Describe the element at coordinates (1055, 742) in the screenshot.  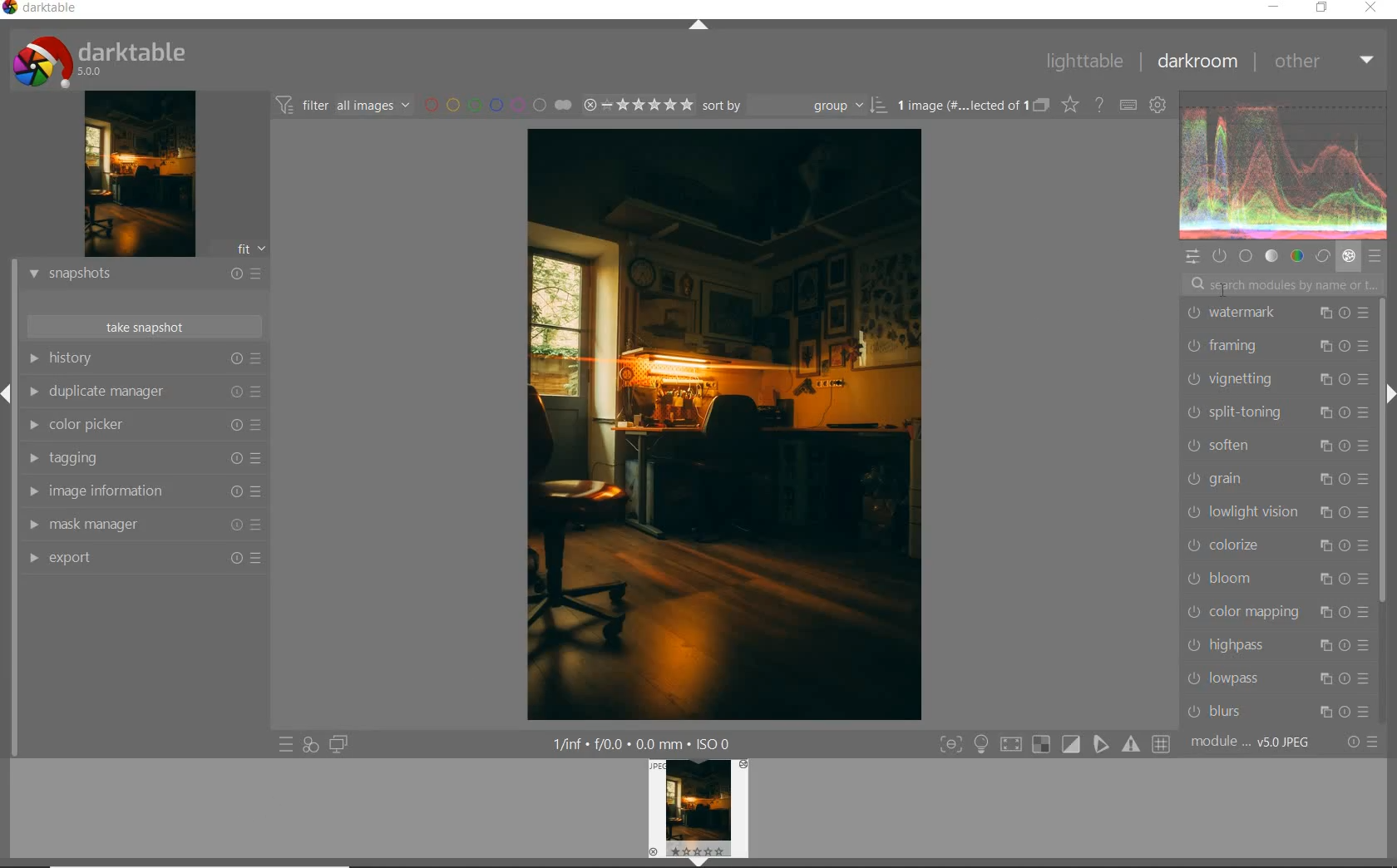
I see `toggle modes` at that location.